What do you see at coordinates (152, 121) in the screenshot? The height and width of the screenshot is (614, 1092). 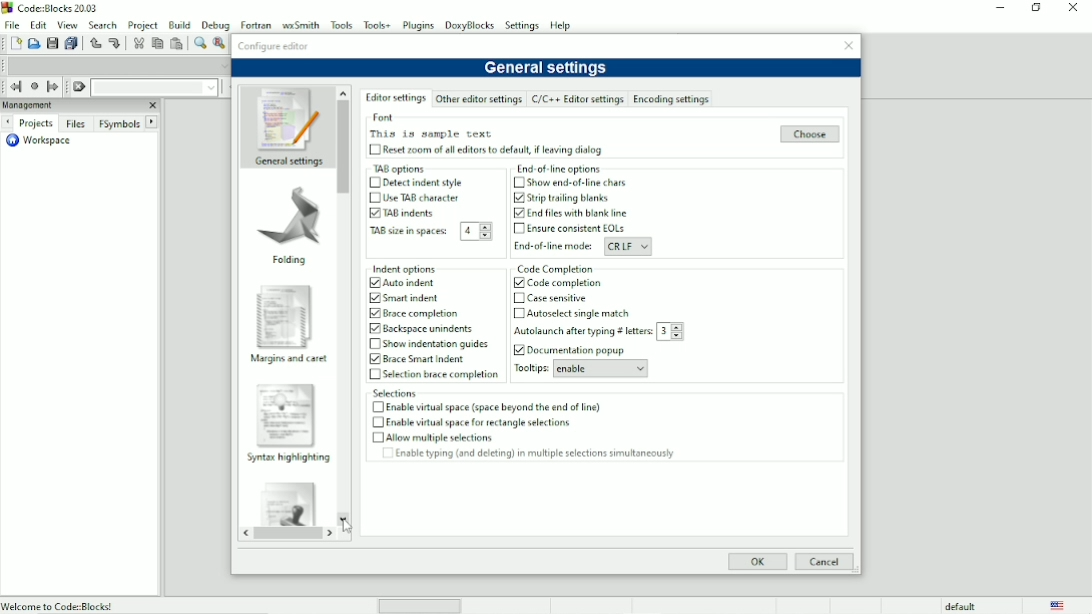 I see `Next` at bounding box center [152, 121].